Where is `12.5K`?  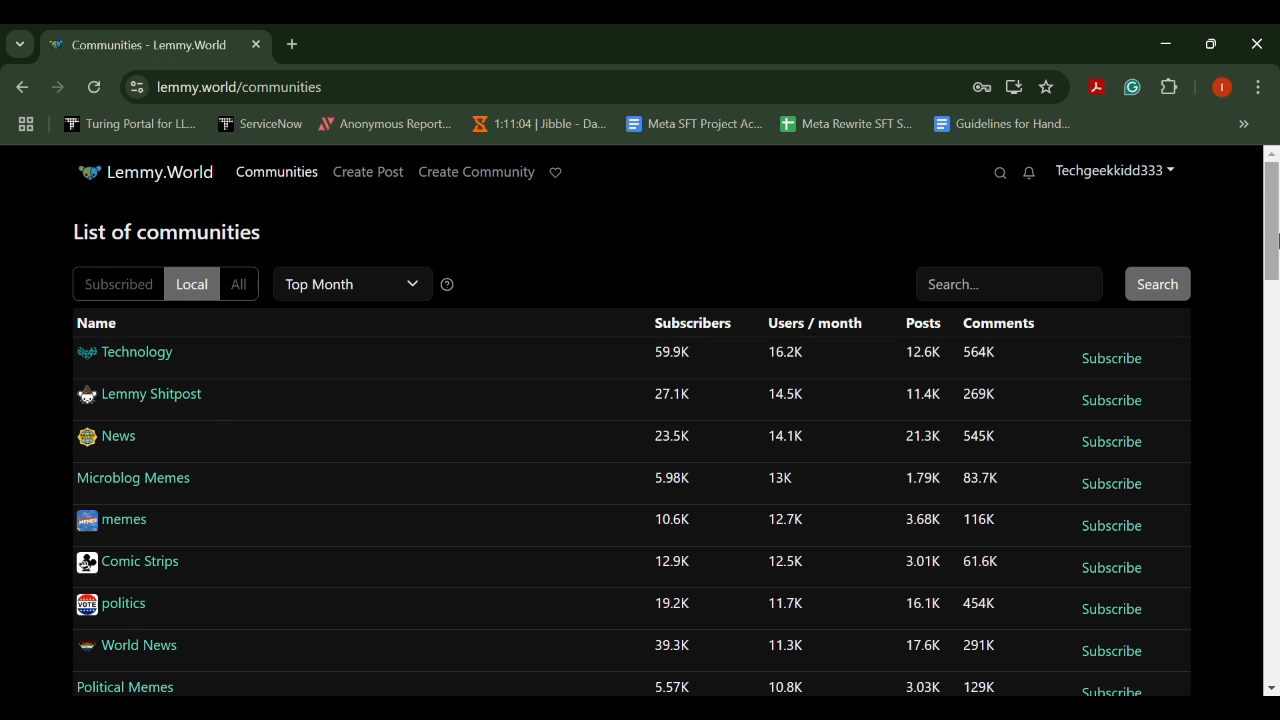 12.5K is located at coordinates (785, 561).